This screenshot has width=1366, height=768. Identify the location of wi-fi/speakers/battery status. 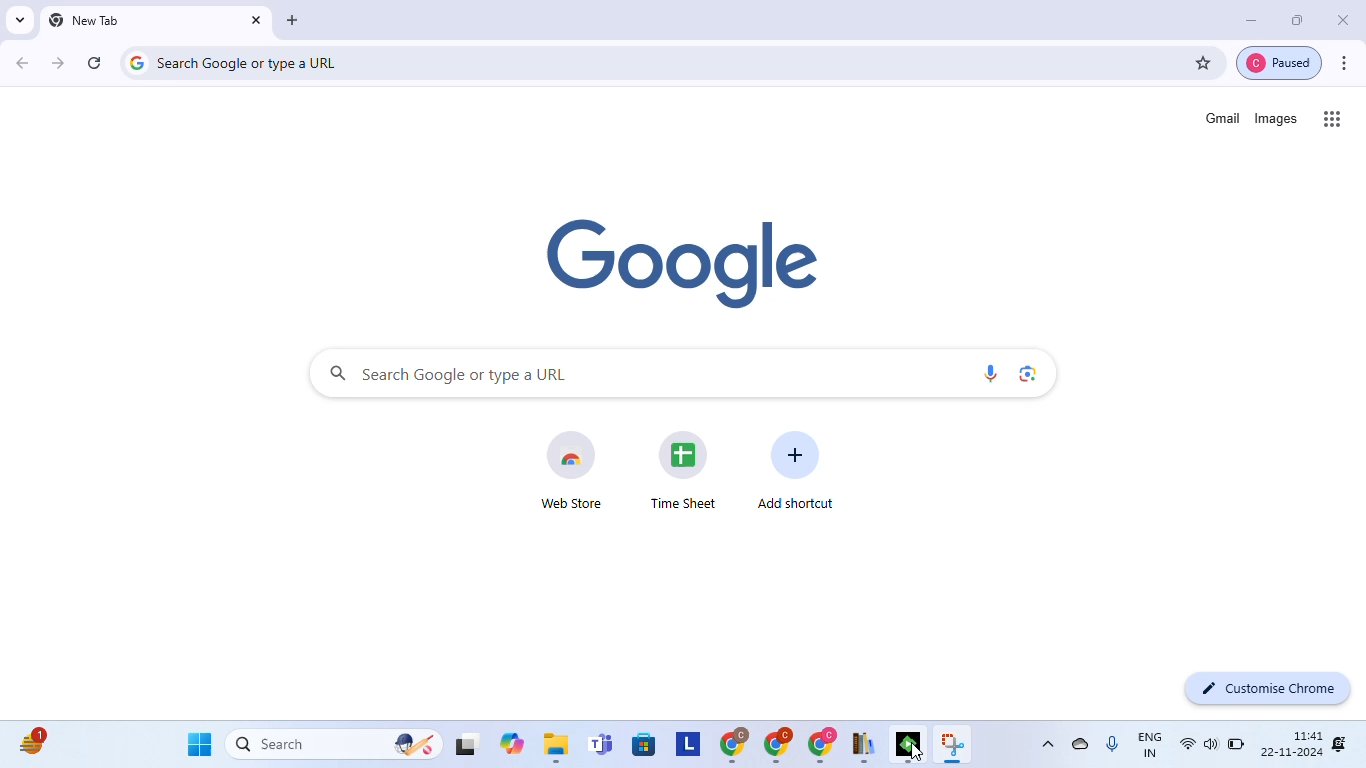
(1211, 745).